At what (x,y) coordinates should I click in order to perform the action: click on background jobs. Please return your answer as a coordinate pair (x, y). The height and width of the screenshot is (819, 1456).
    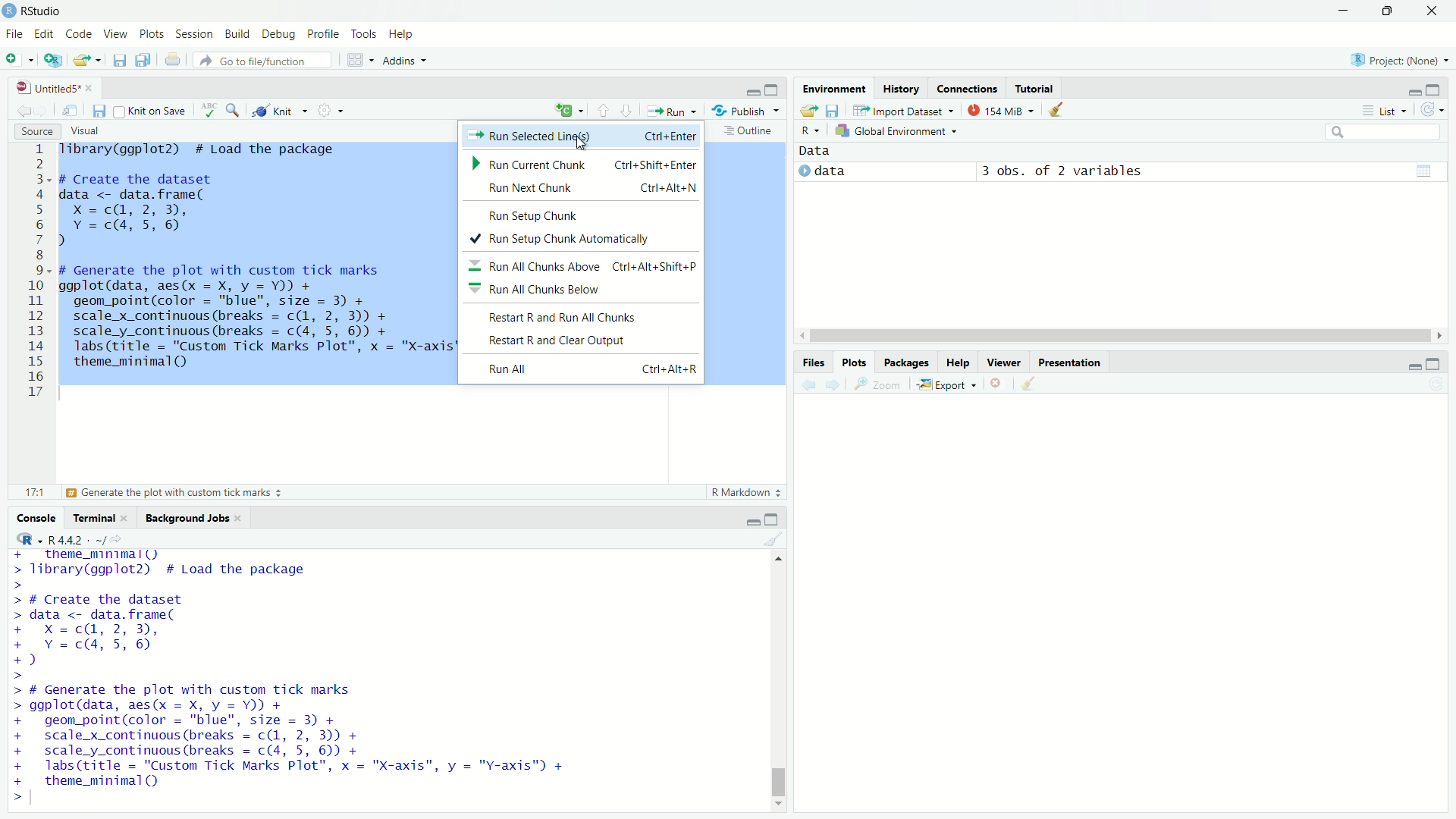
    Looking at the image, I should click on (189, 518).